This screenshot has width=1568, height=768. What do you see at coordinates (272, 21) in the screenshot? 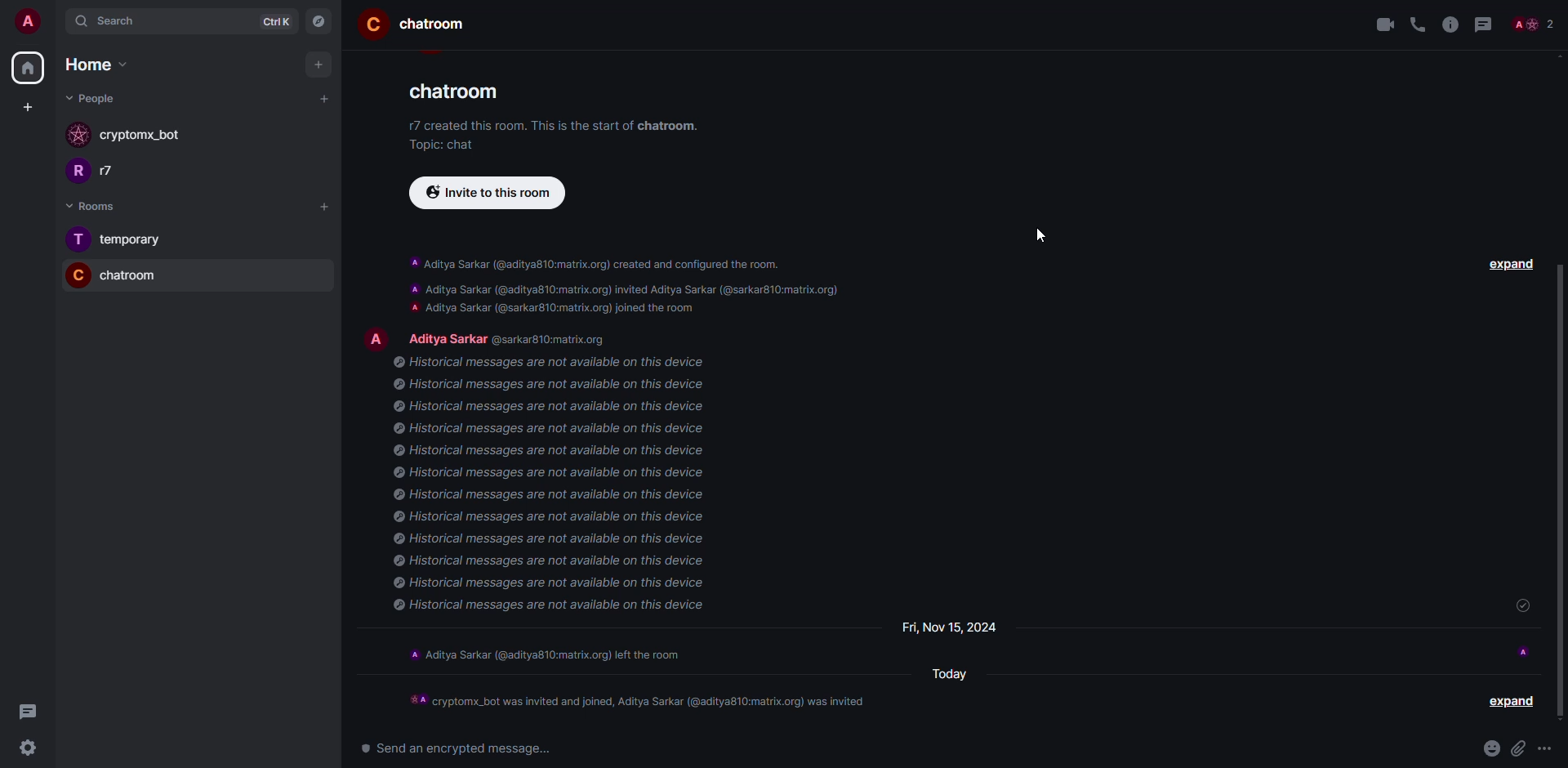
I see `ctrlK` at bounding box center [272, 21].